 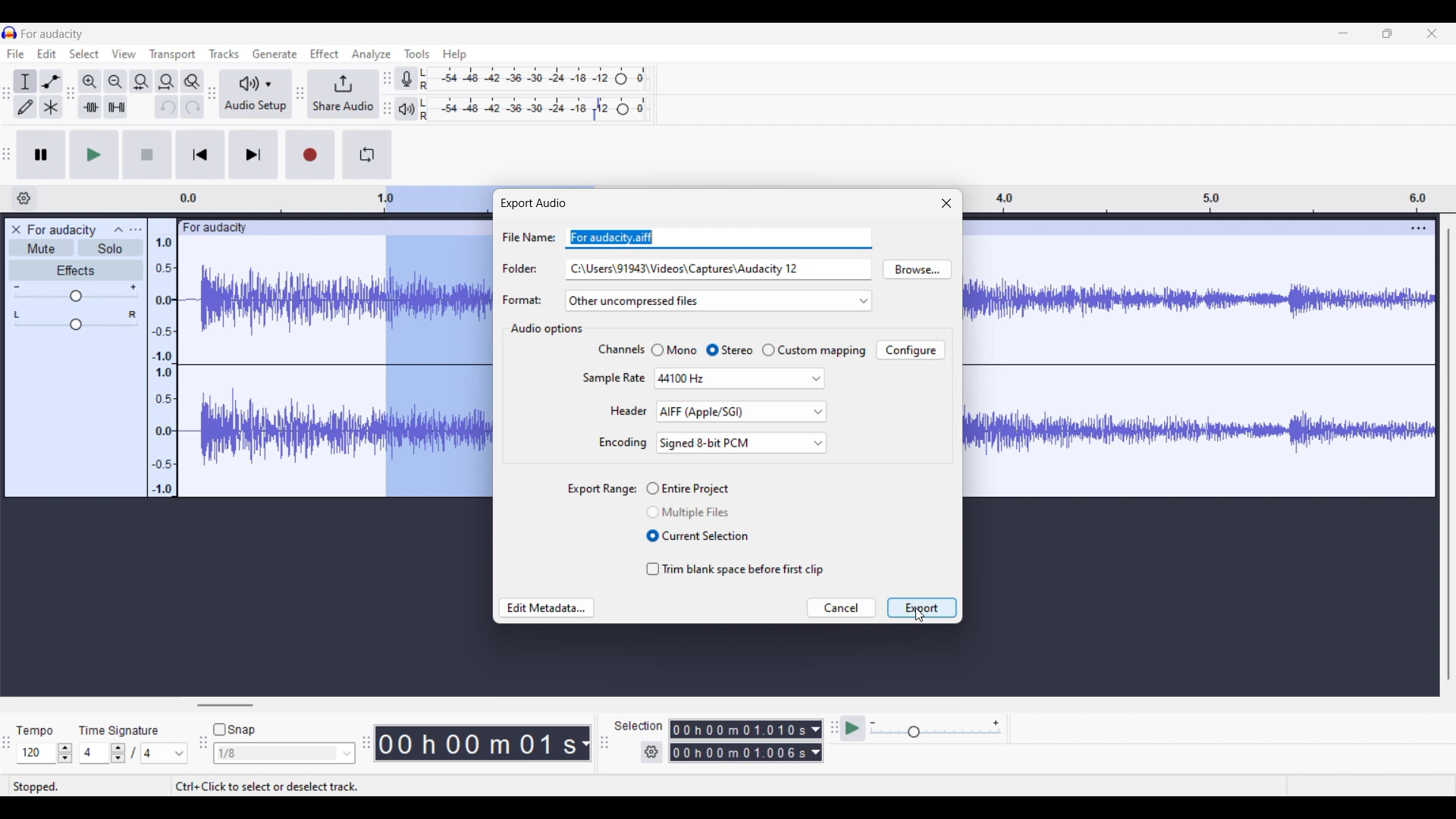 What do you see at coordinates (46, 54) in the screenshot?
I see `Edit menu` at bounding box center [46, 54].